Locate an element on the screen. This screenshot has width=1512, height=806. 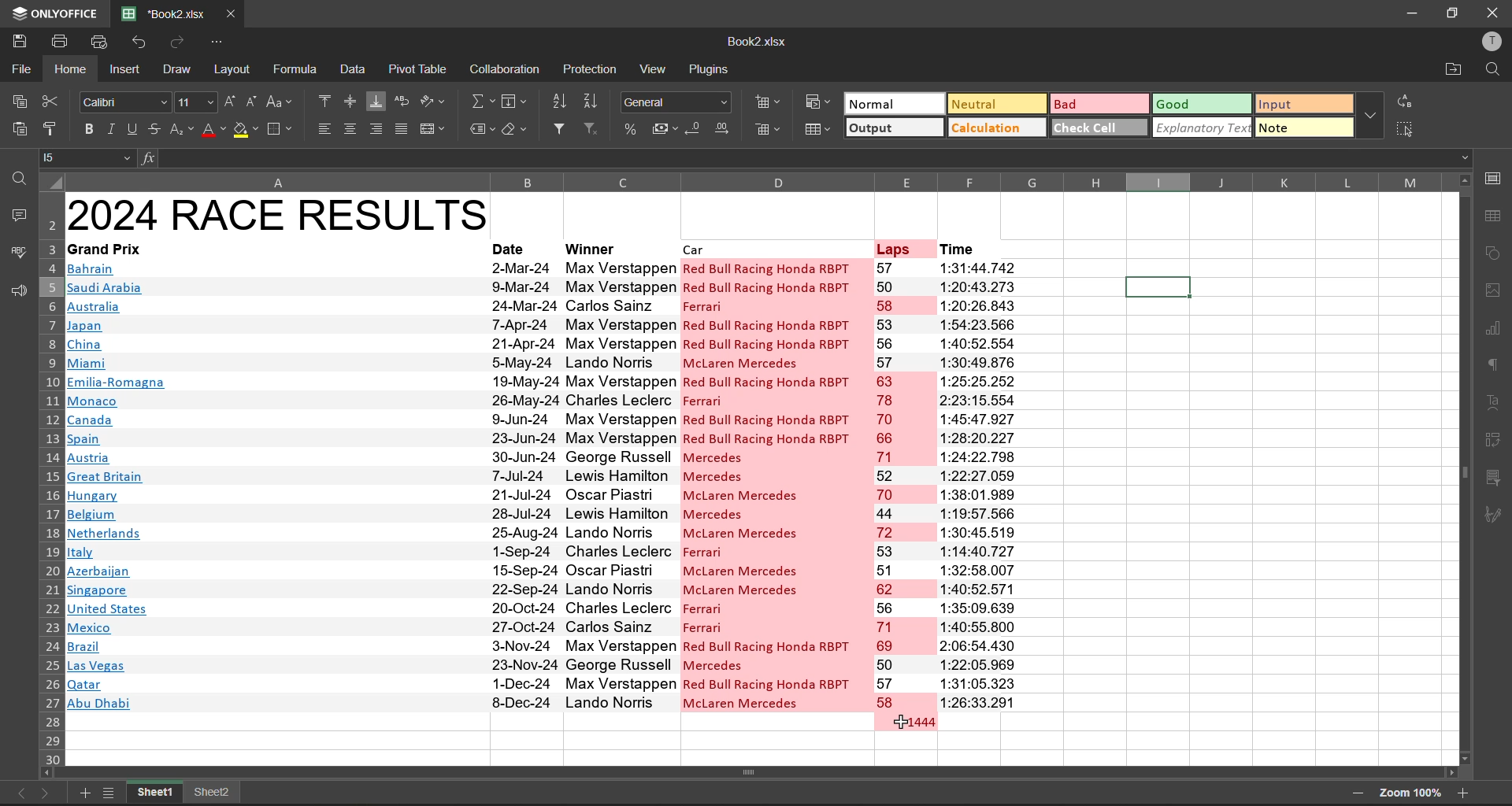
shapes is located at coordinates (1494, 252).